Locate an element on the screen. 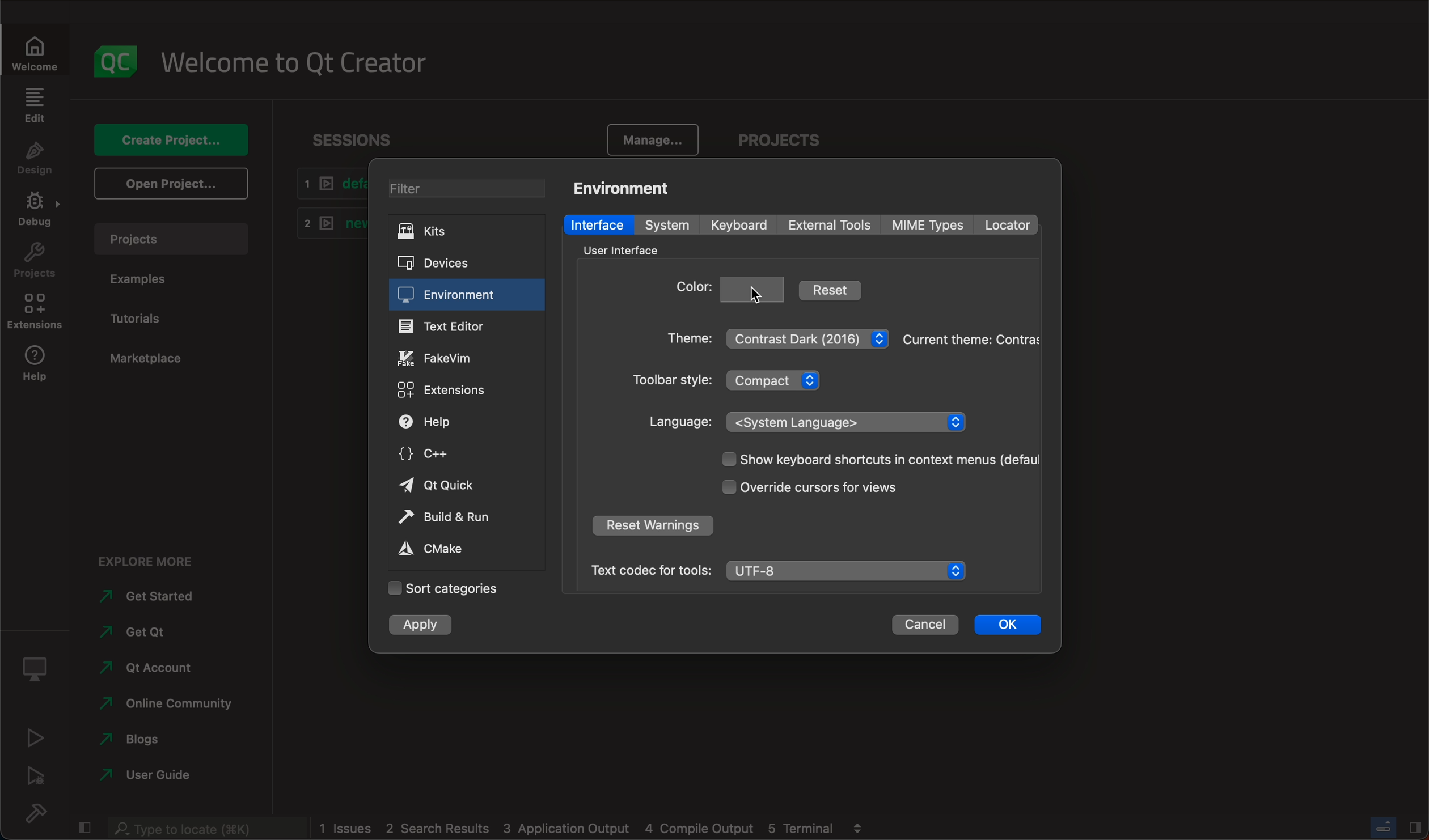  keyboard is located at coordinates (742, 225).